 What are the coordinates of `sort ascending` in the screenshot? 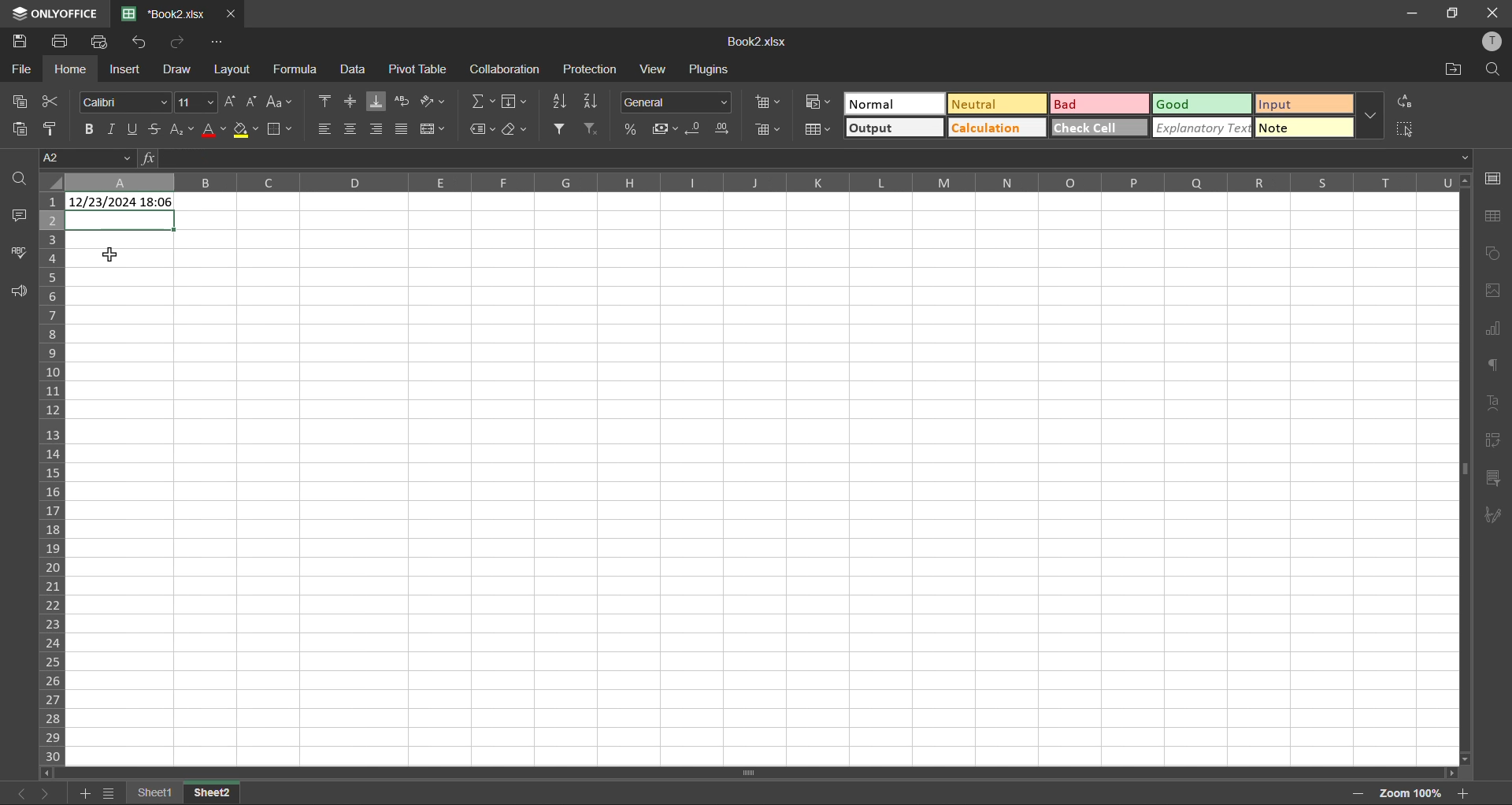 It's located at (561, 100).